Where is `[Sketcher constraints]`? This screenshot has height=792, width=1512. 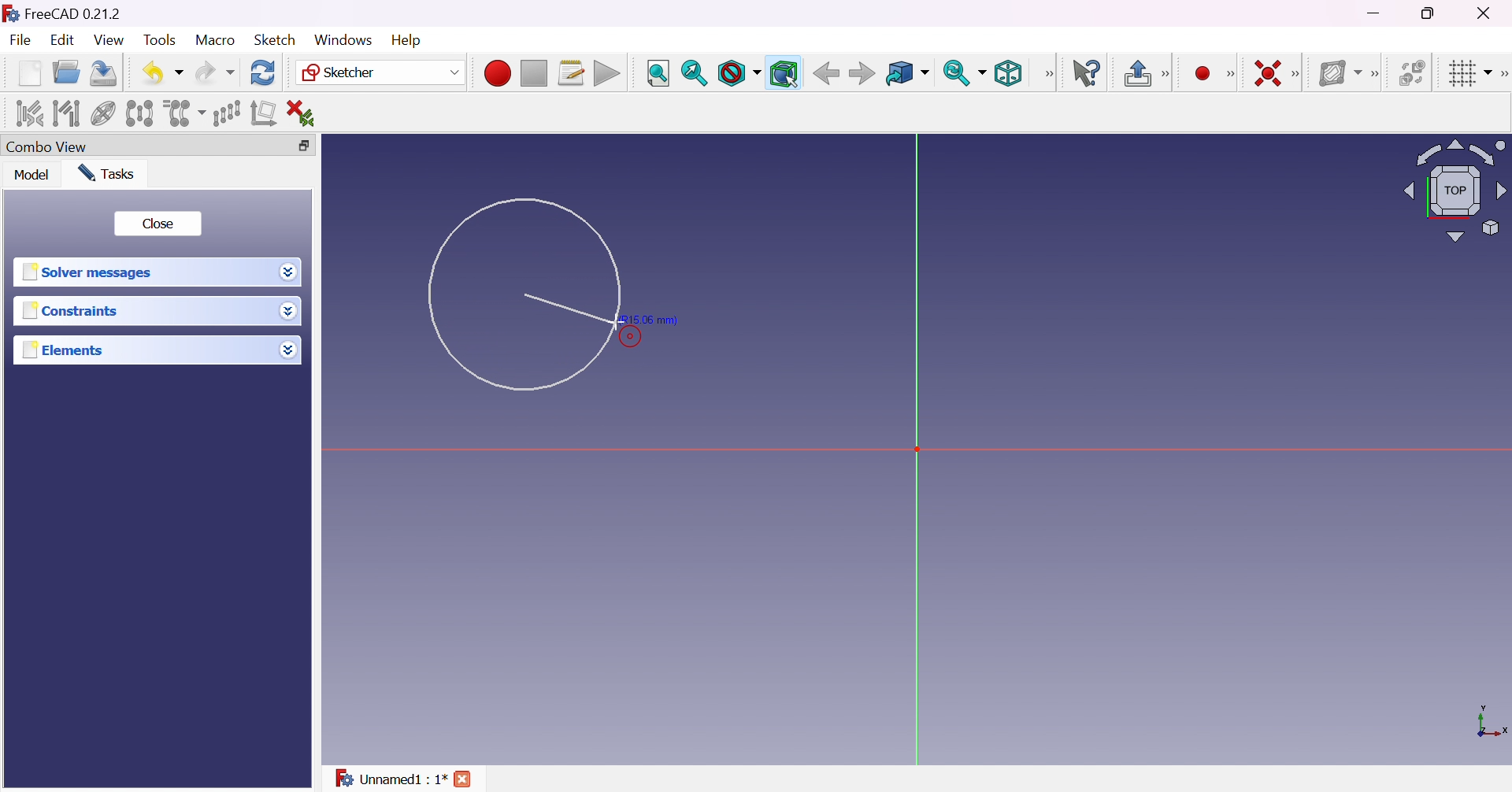 [Sketcher constraints] is located at coordinates (1299, 75).